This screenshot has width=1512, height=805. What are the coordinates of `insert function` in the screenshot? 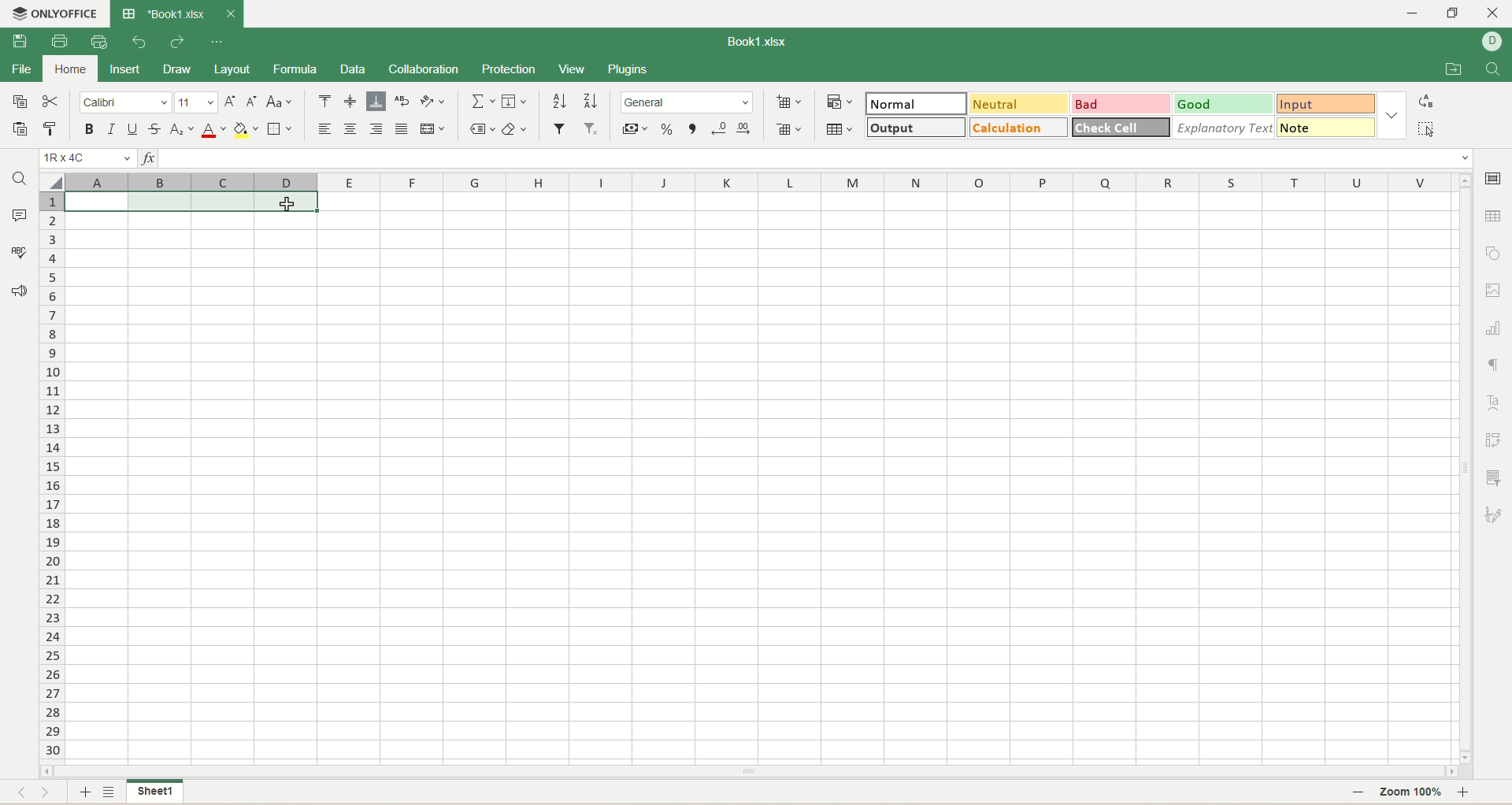 It's located at (148, 158).